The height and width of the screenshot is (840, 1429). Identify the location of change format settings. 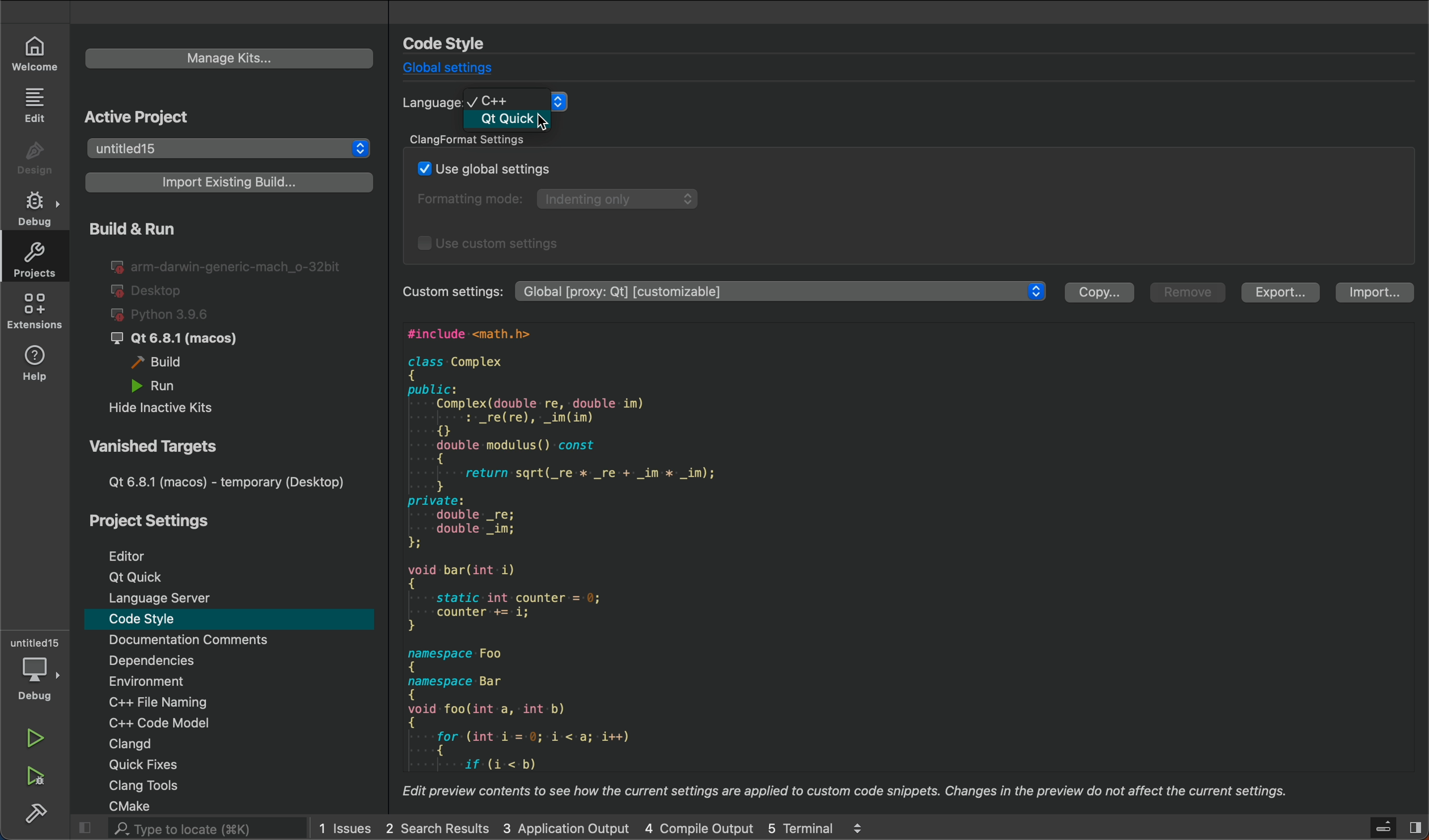
(908, 196).